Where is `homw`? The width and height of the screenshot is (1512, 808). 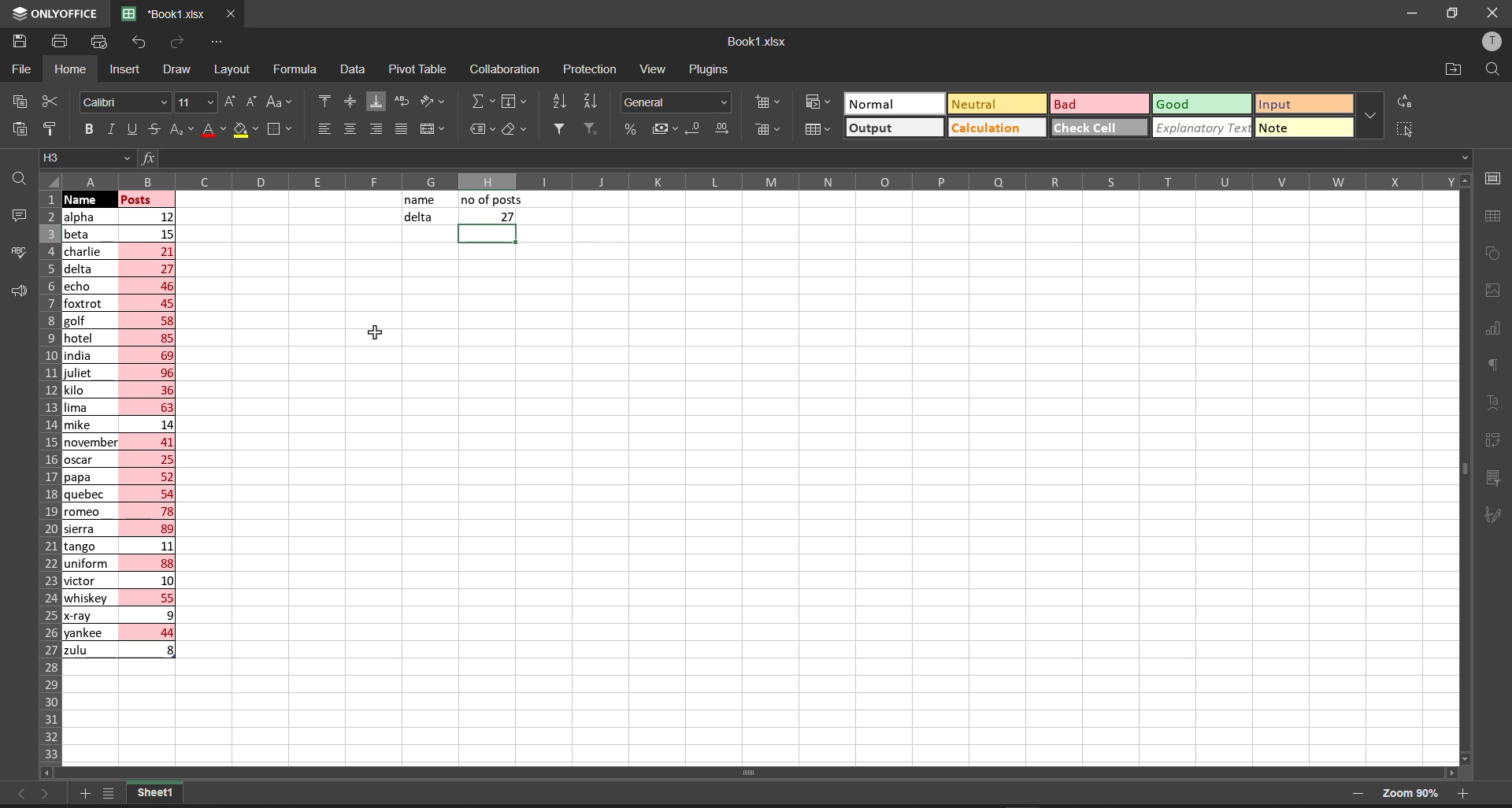 homw is located at coordinates (69, 69).